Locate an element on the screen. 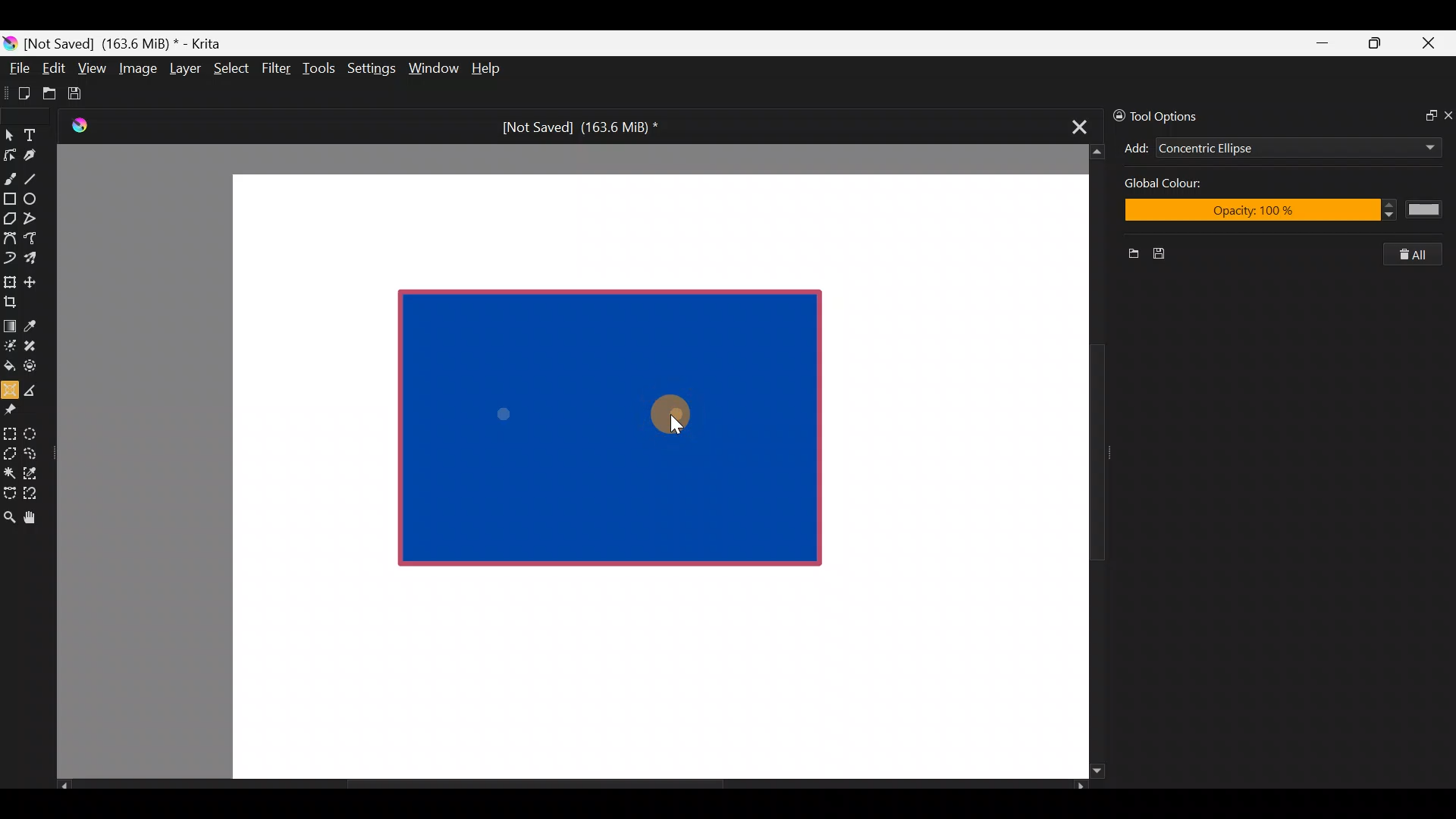 The height and width of the screenshot is (819, 1456). Bezier curve selection tool is located at coordinates (9, 491).